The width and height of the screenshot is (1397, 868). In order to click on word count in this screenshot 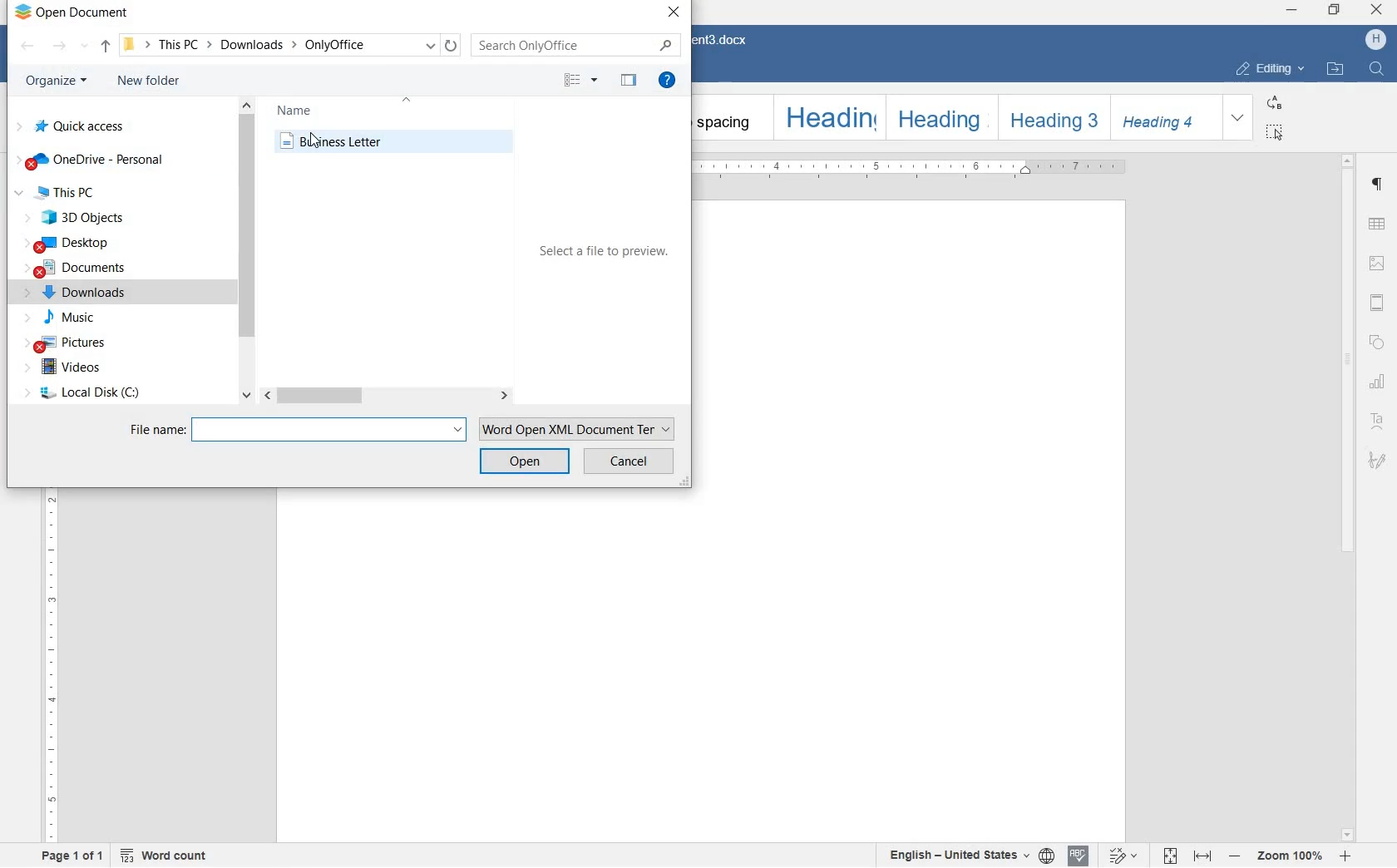, I will do `click(167, 854)`.